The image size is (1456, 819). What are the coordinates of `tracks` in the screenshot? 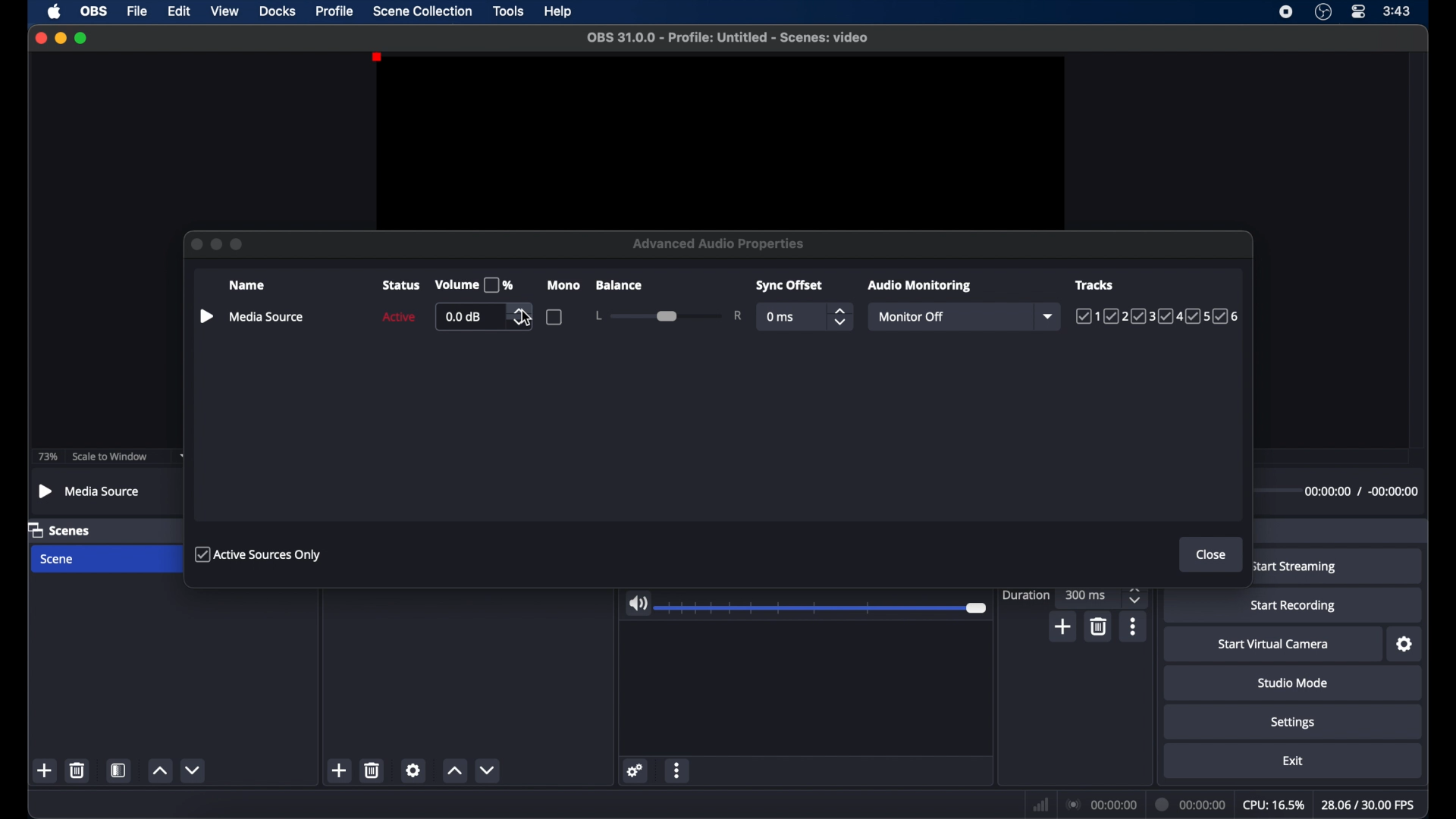 It's located at (1159, 316).